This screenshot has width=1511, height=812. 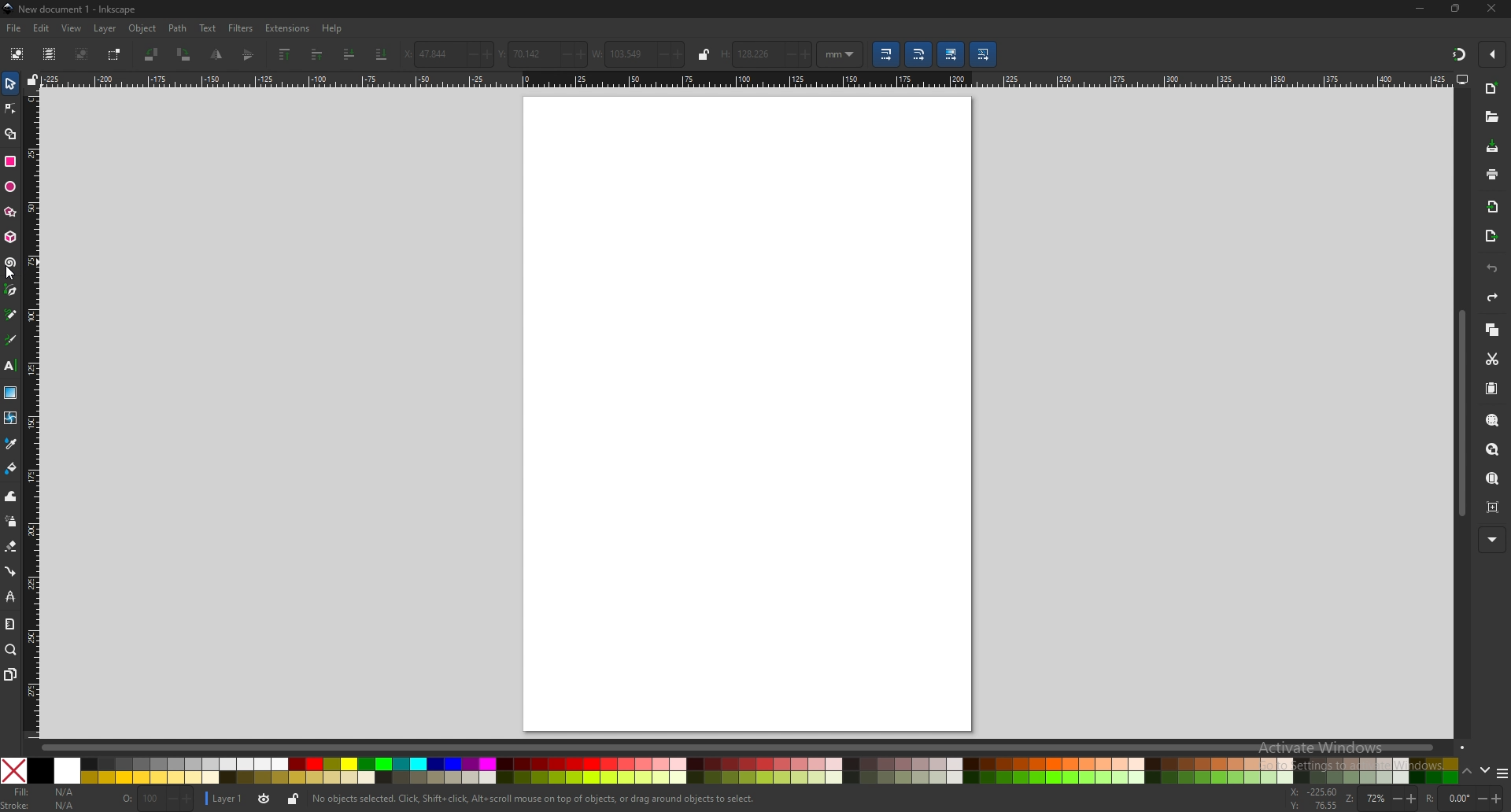 What do you see at coordinates (10, 84) in the screenshot?
I see `selector` at bounding box center [10, 84].